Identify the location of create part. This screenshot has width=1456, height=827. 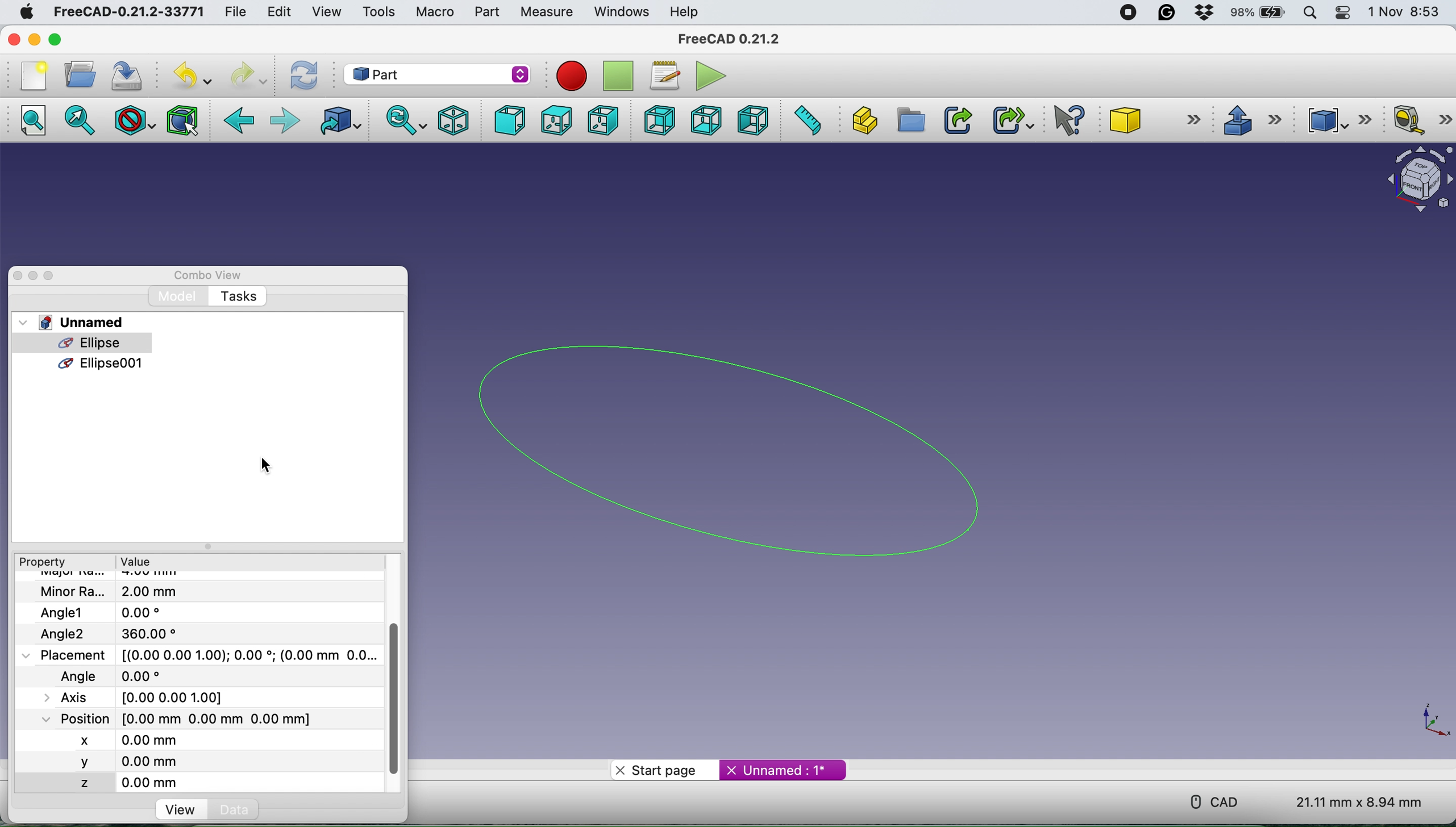
(860, 121).